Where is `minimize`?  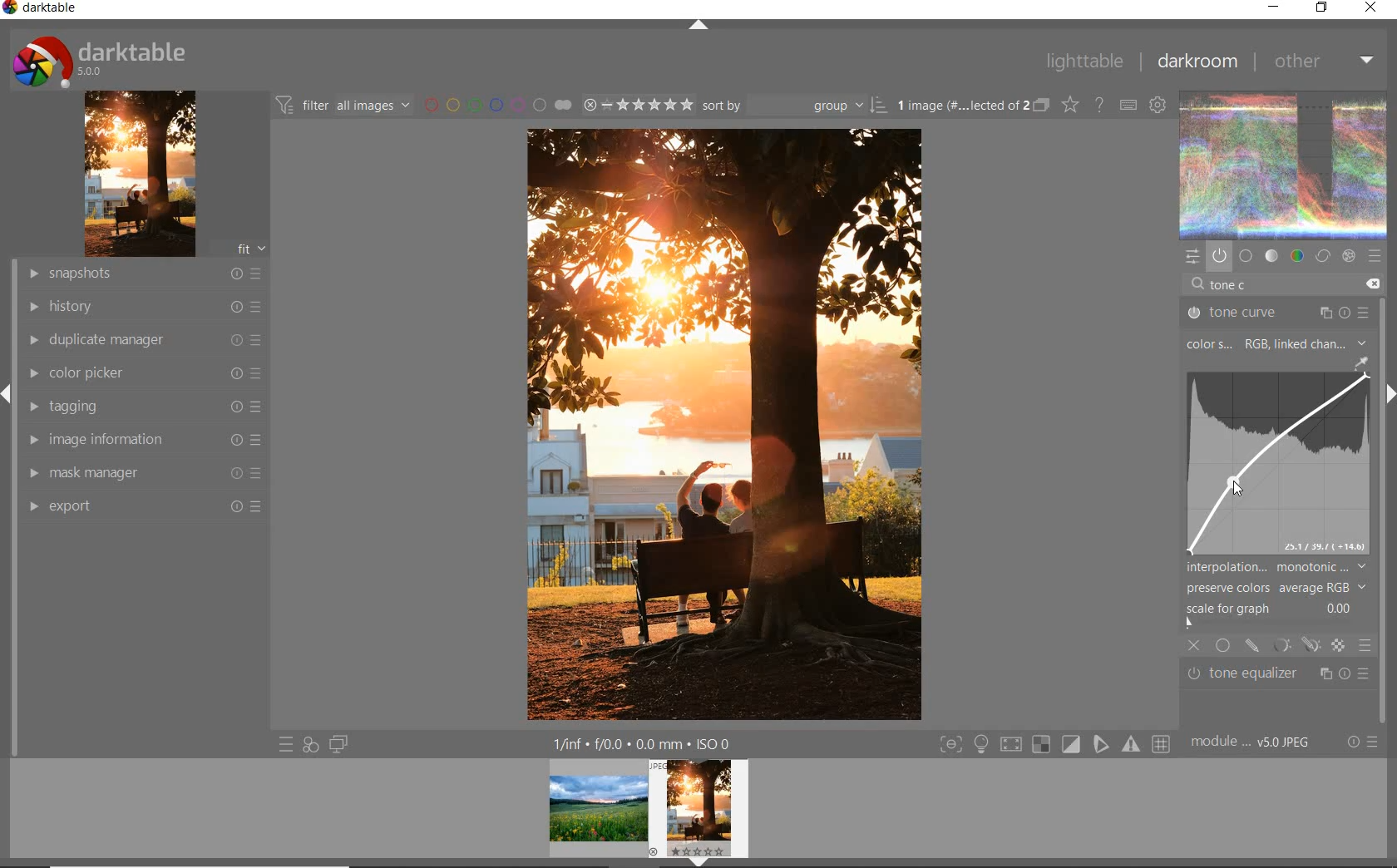
minimize is located at coordinates (1271, 7).